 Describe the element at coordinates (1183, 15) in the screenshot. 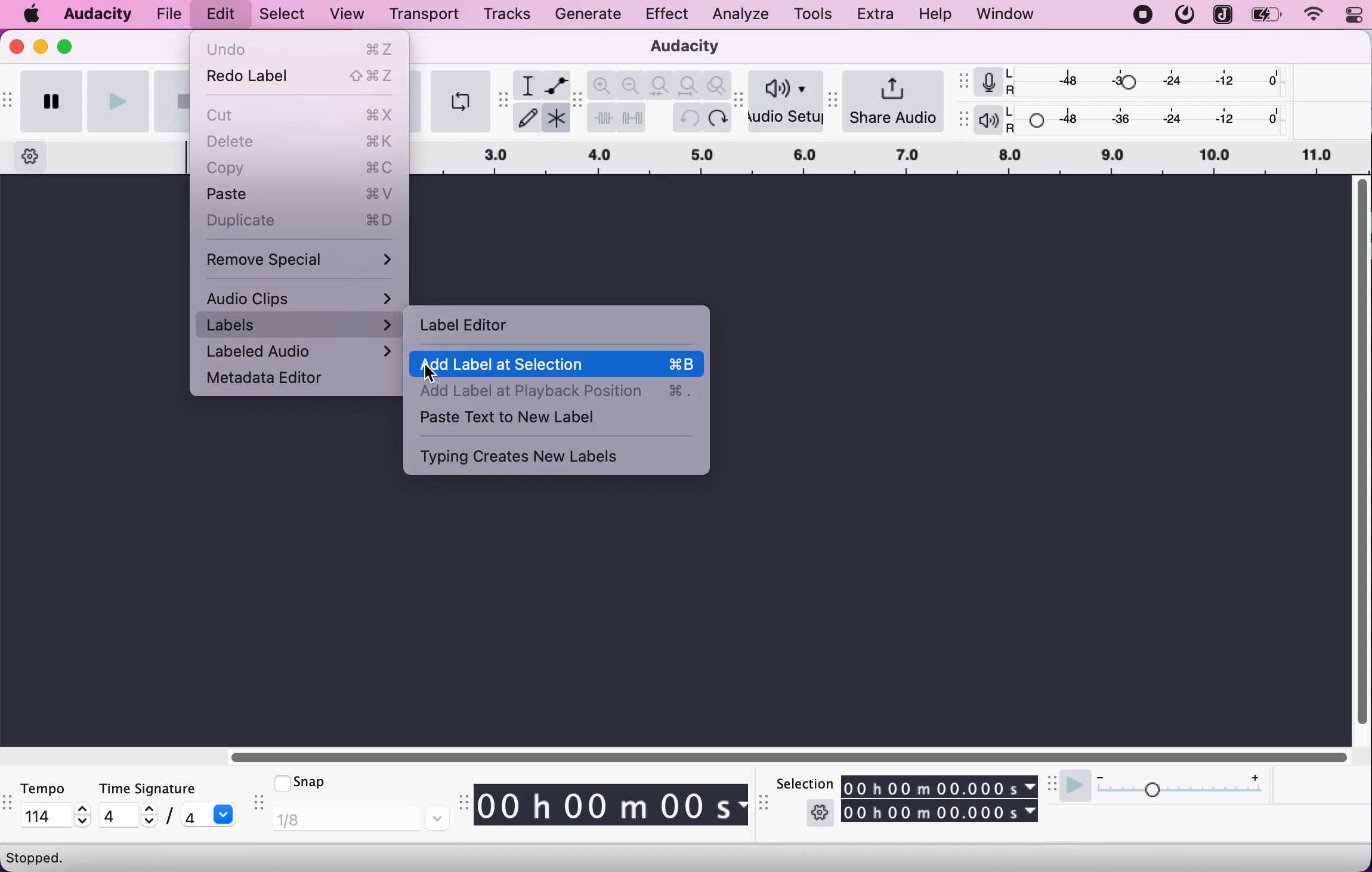

I see `mattermost logo` at that location.